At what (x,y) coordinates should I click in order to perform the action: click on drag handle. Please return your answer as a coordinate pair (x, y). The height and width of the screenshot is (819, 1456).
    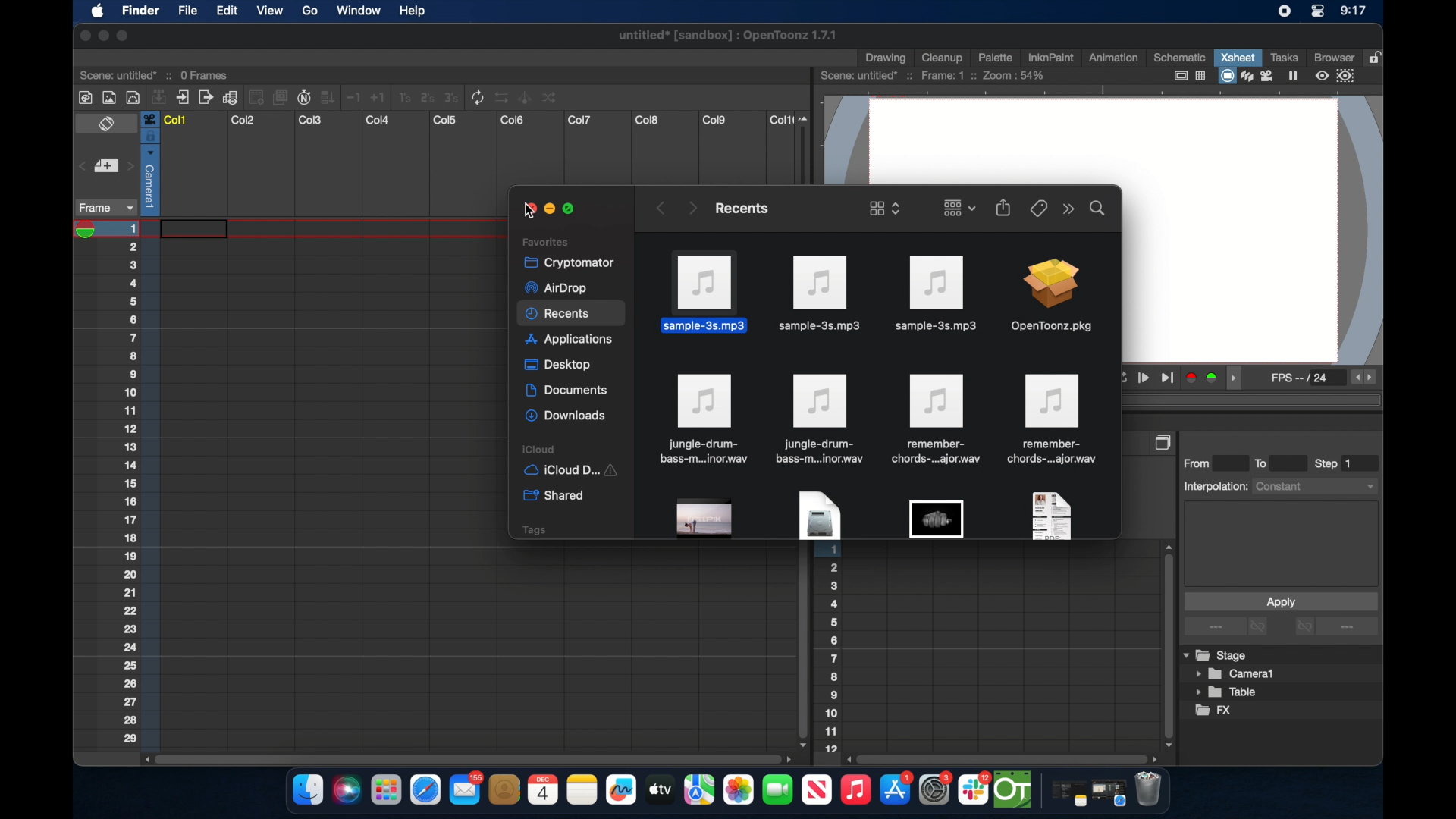
    Looking at the image, I should click on (1238, 378).